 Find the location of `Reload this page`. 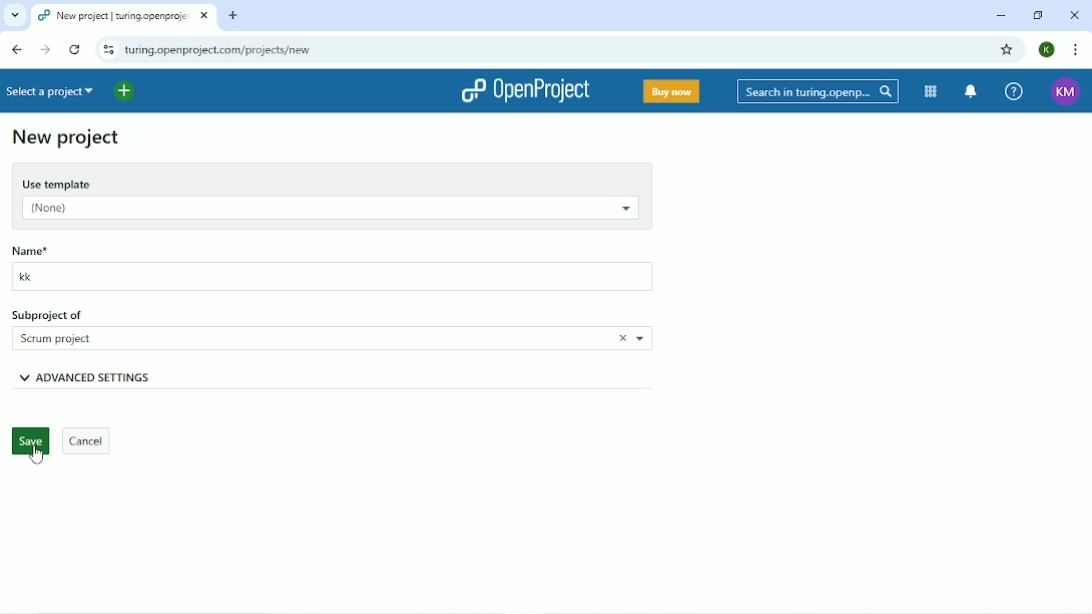

Reload this page is located at coordinates (74, 49).